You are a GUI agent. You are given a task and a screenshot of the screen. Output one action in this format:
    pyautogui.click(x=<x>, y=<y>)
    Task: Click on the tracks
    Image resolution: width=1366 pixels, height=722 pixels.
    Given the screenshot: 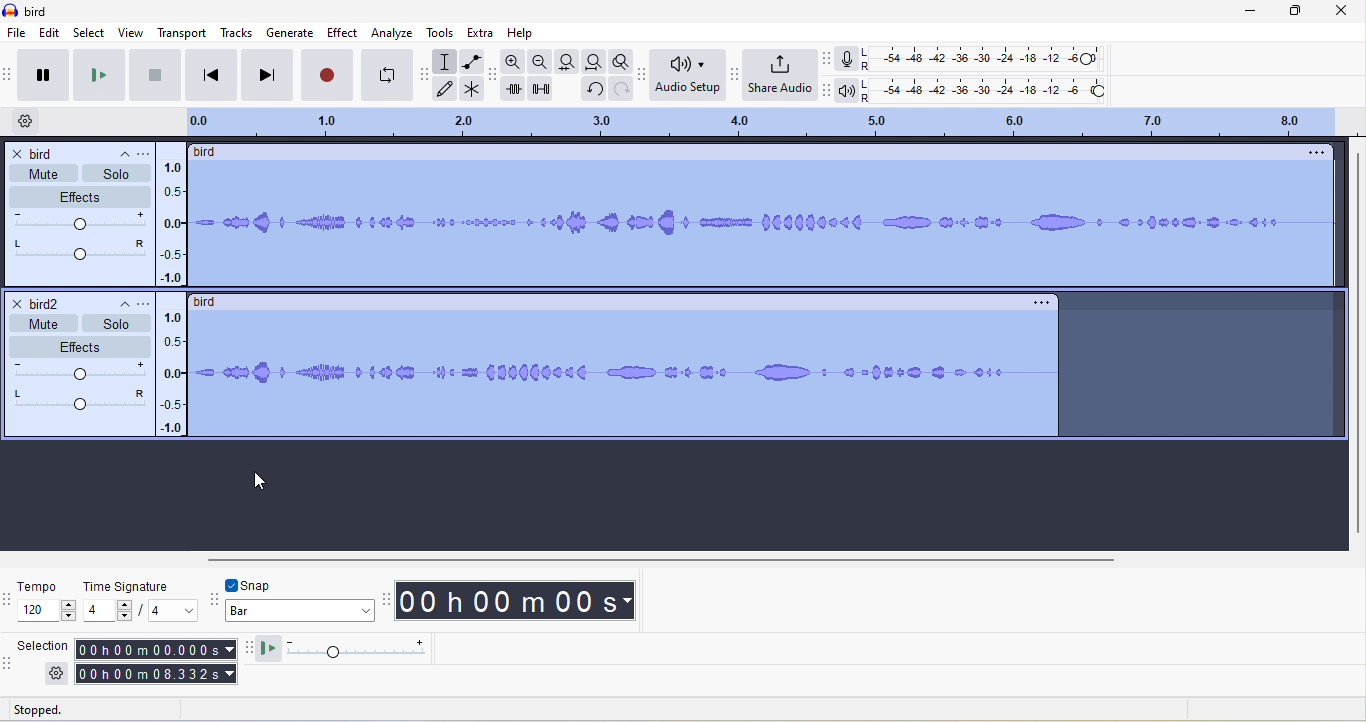 What is the action you would take?
    pyautogui.click(x=237, y=34)
    